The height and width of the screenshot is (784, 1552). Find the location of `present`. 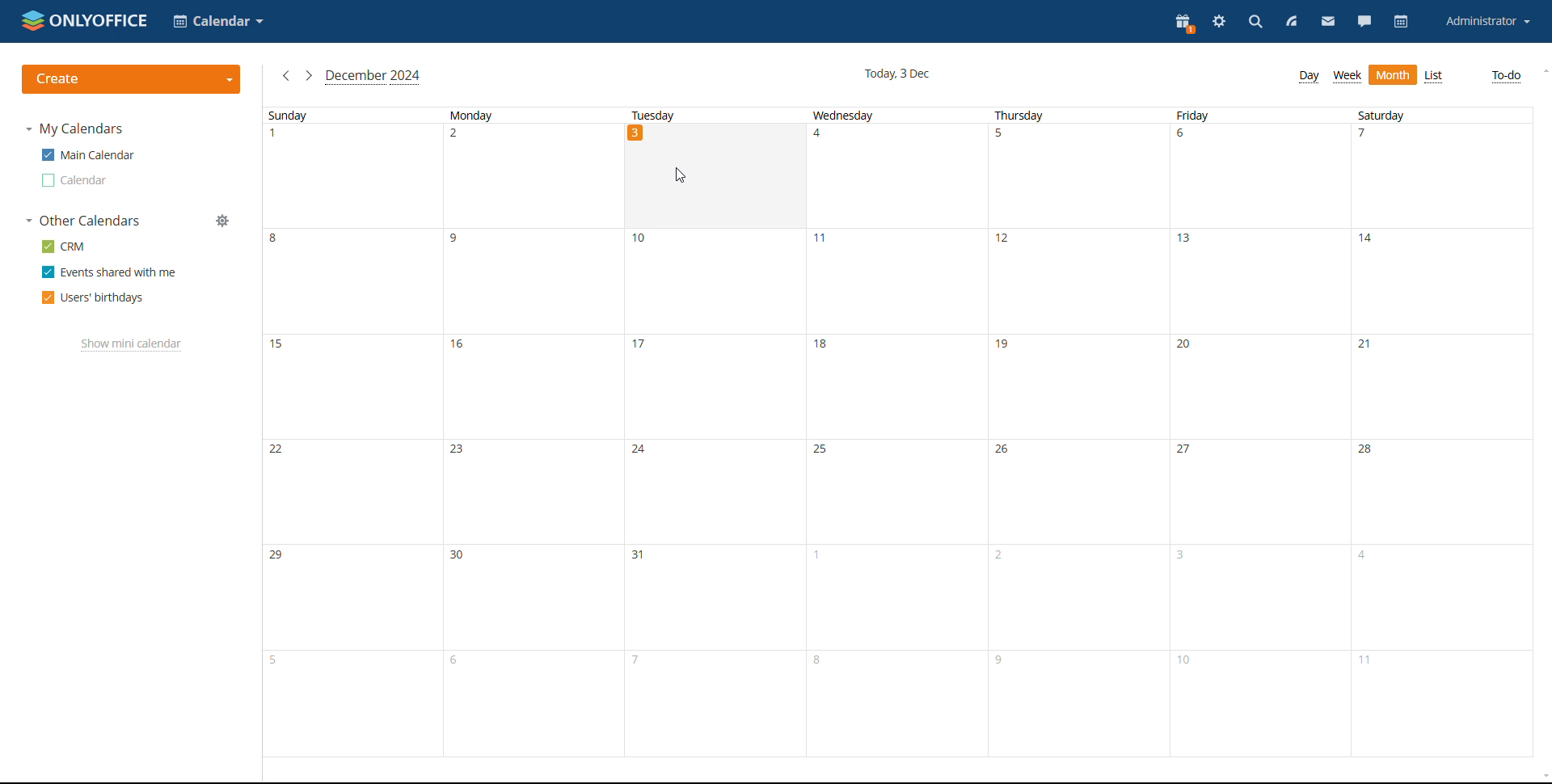

present is located at coordinates (1183, 23).